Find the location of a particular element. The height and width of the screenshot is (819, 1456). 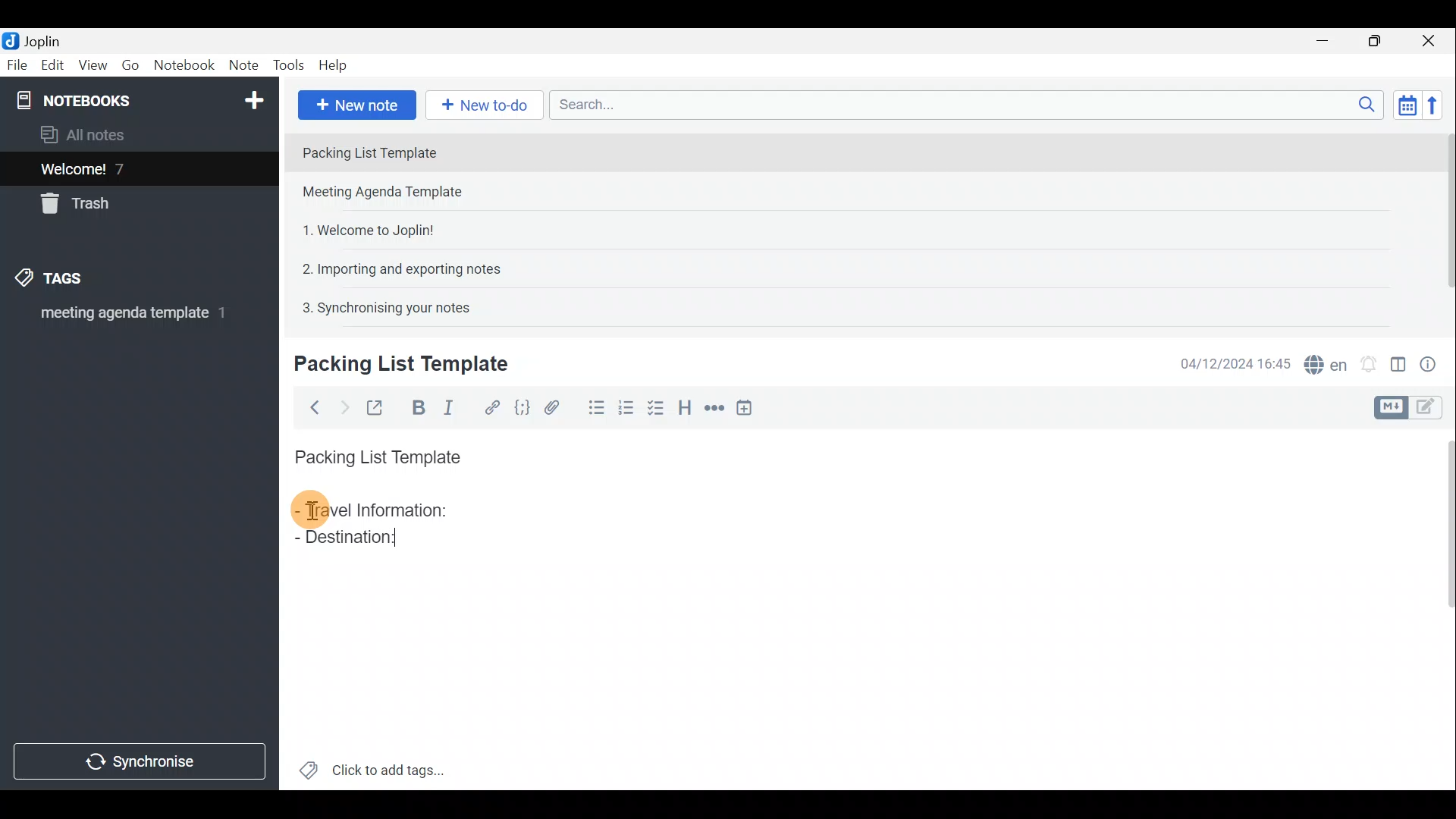

All notes is located at coordinates (88, 134).